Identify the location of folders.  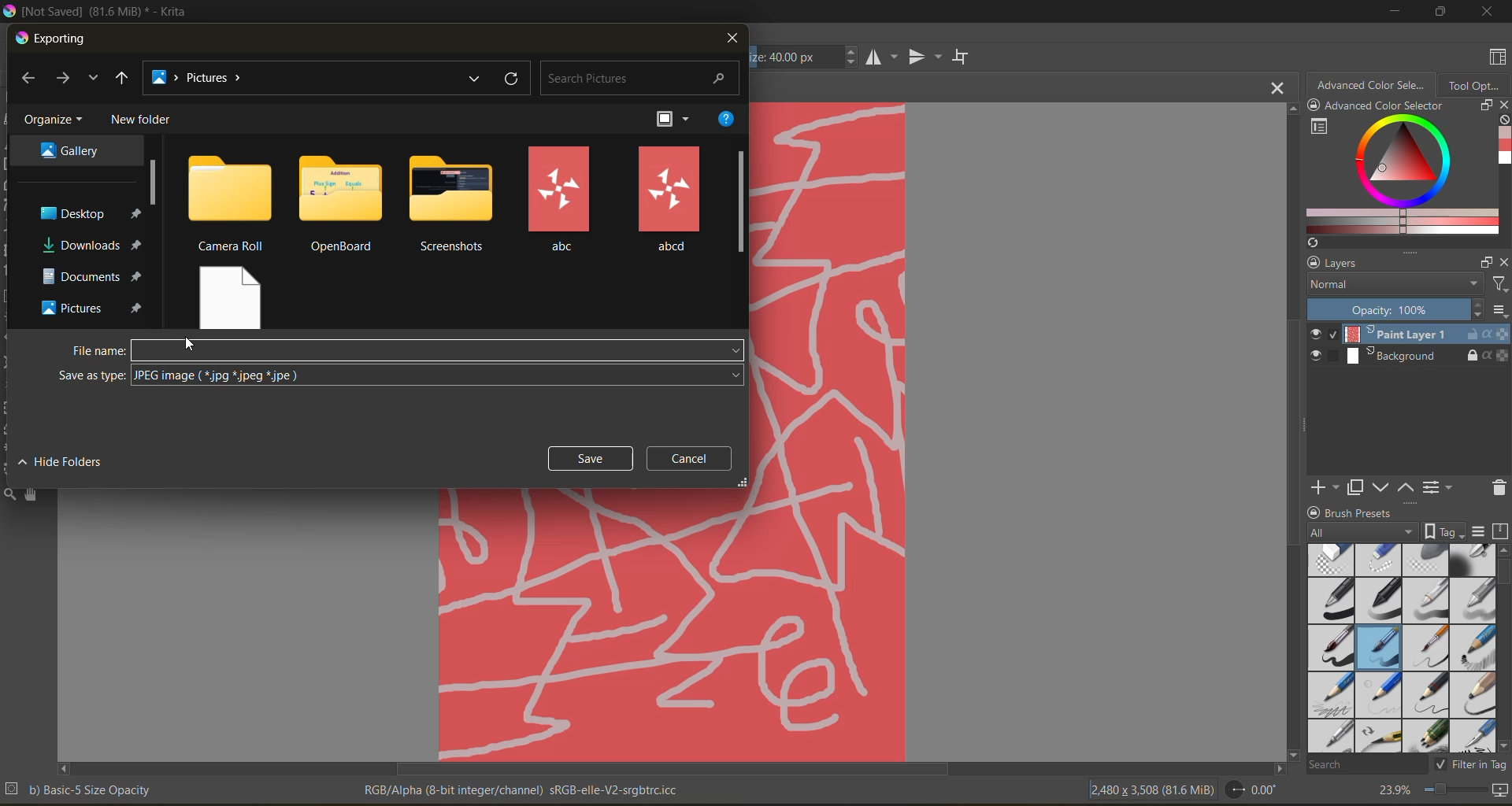
(233, 294).